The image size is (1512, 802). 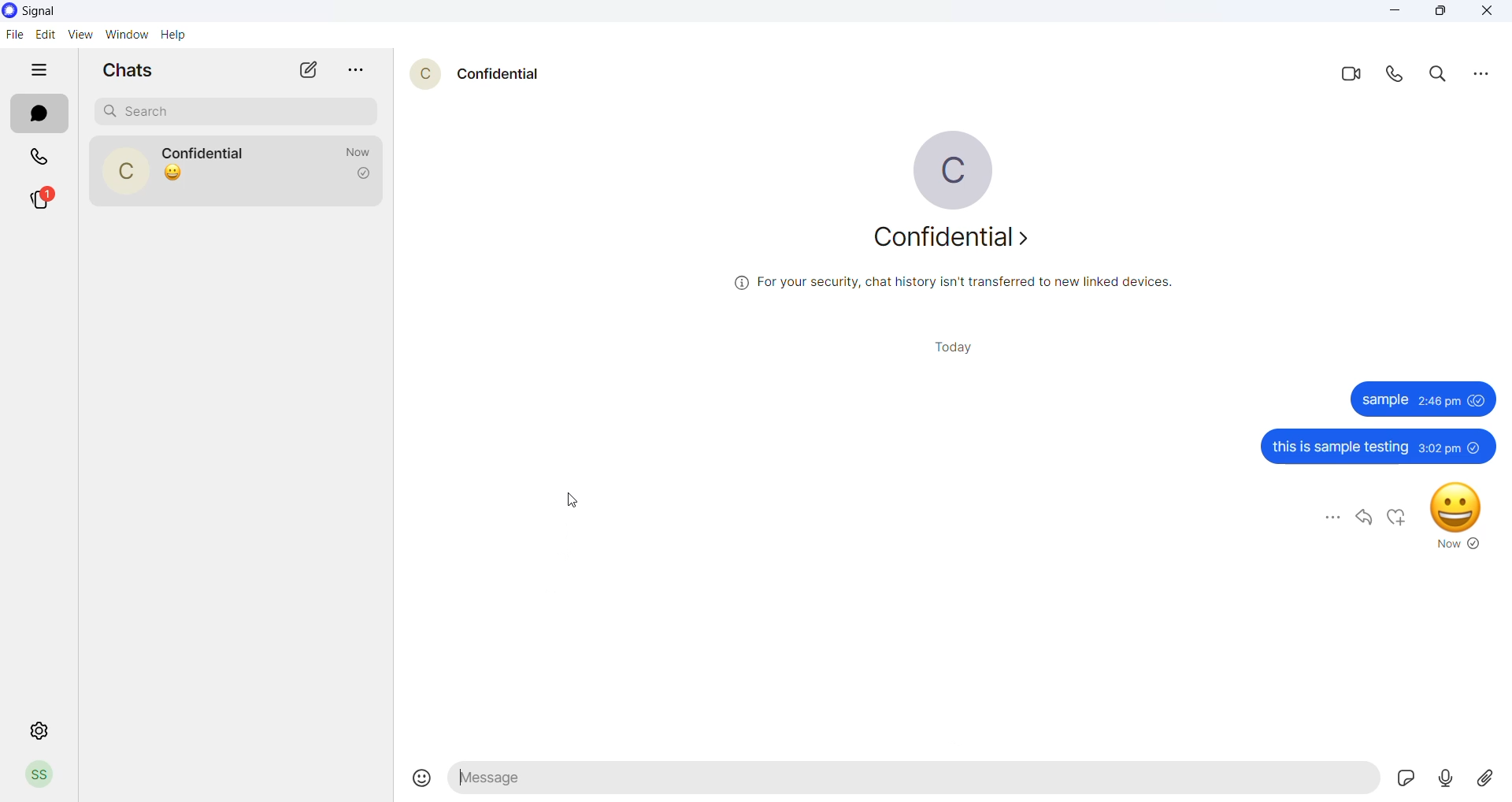 What do you see at coordinates (418, 75) in the screenshot?
I see `contact profile picture` at bounding box center [418, 75].